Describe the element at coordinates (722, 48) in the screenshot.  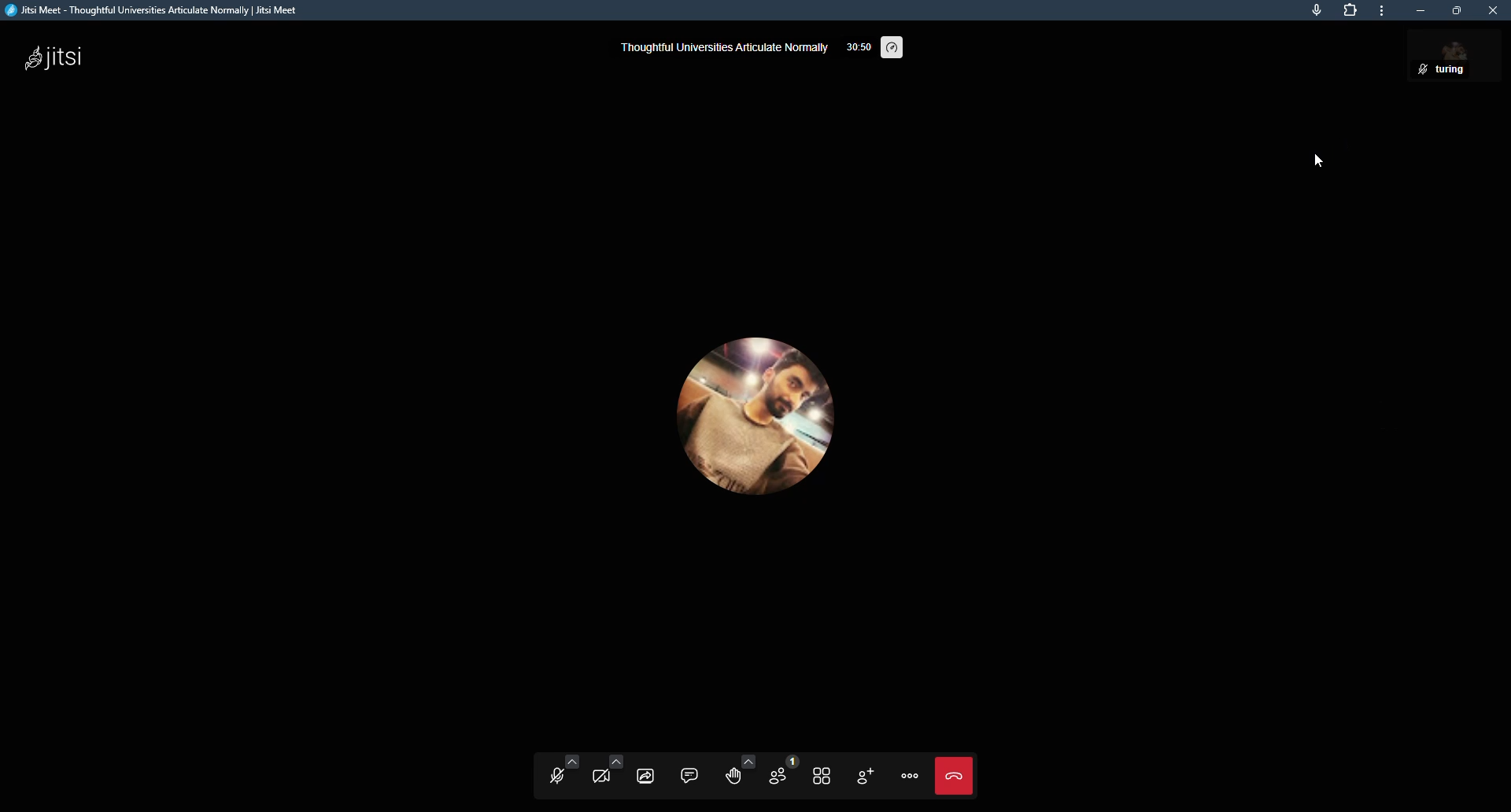
I see `thoughtful universities articulate normally` at that location.